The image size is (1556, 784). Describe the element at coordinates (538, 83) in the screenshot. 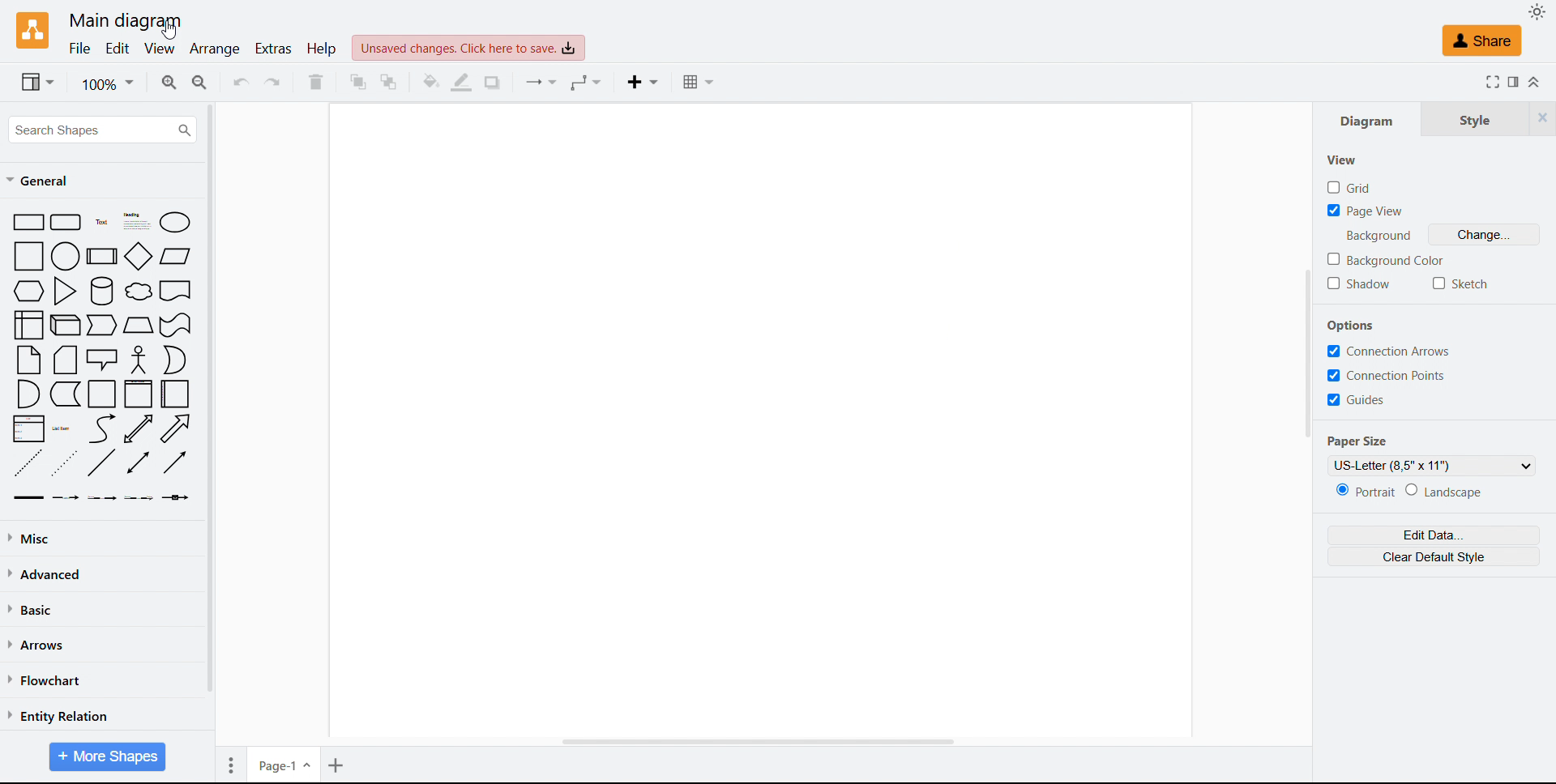

I see `Connectors ` at that location.